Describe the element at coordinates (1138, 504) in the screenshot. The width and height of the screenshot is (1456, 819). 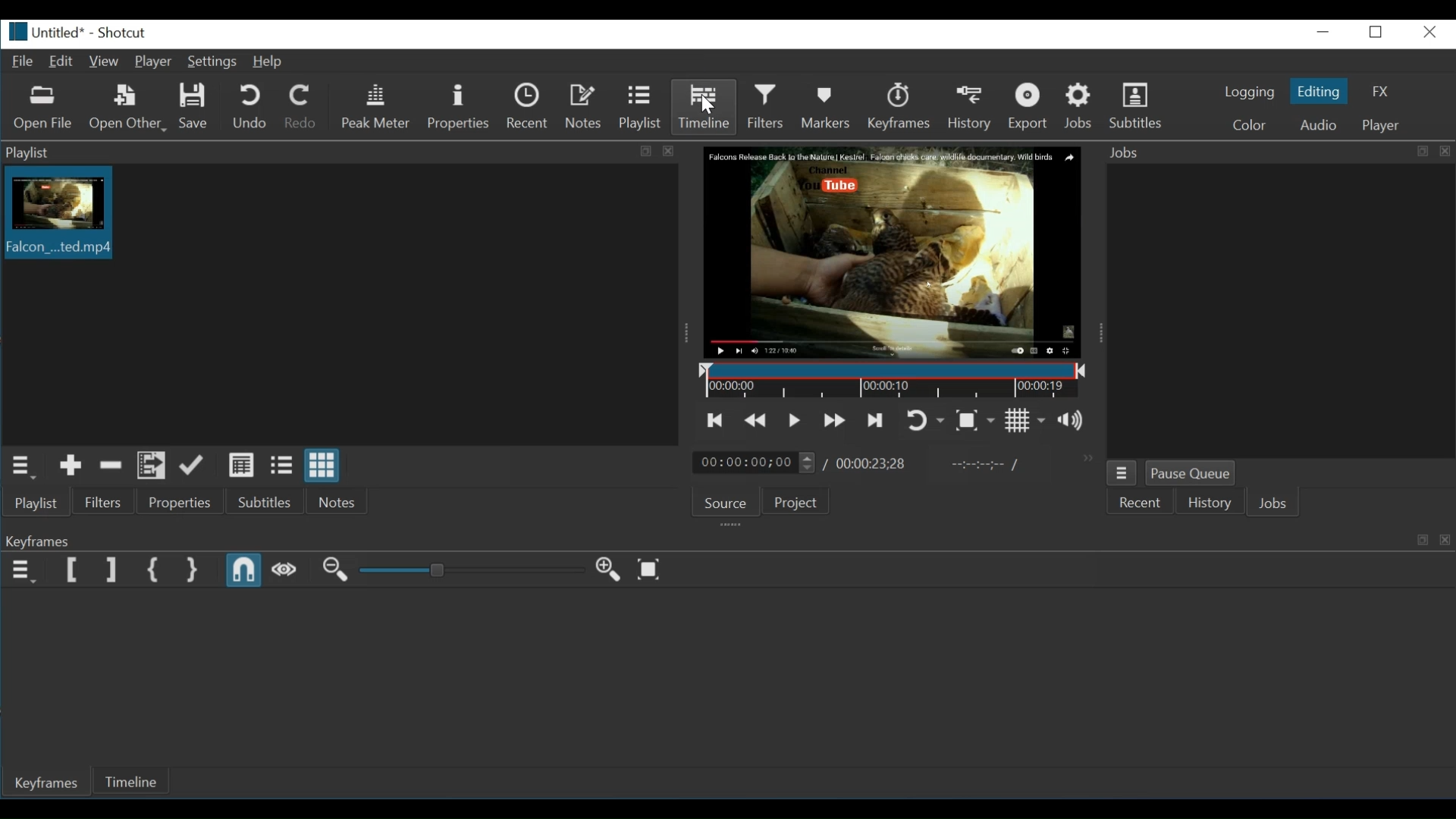
I see `Recent` at that location.